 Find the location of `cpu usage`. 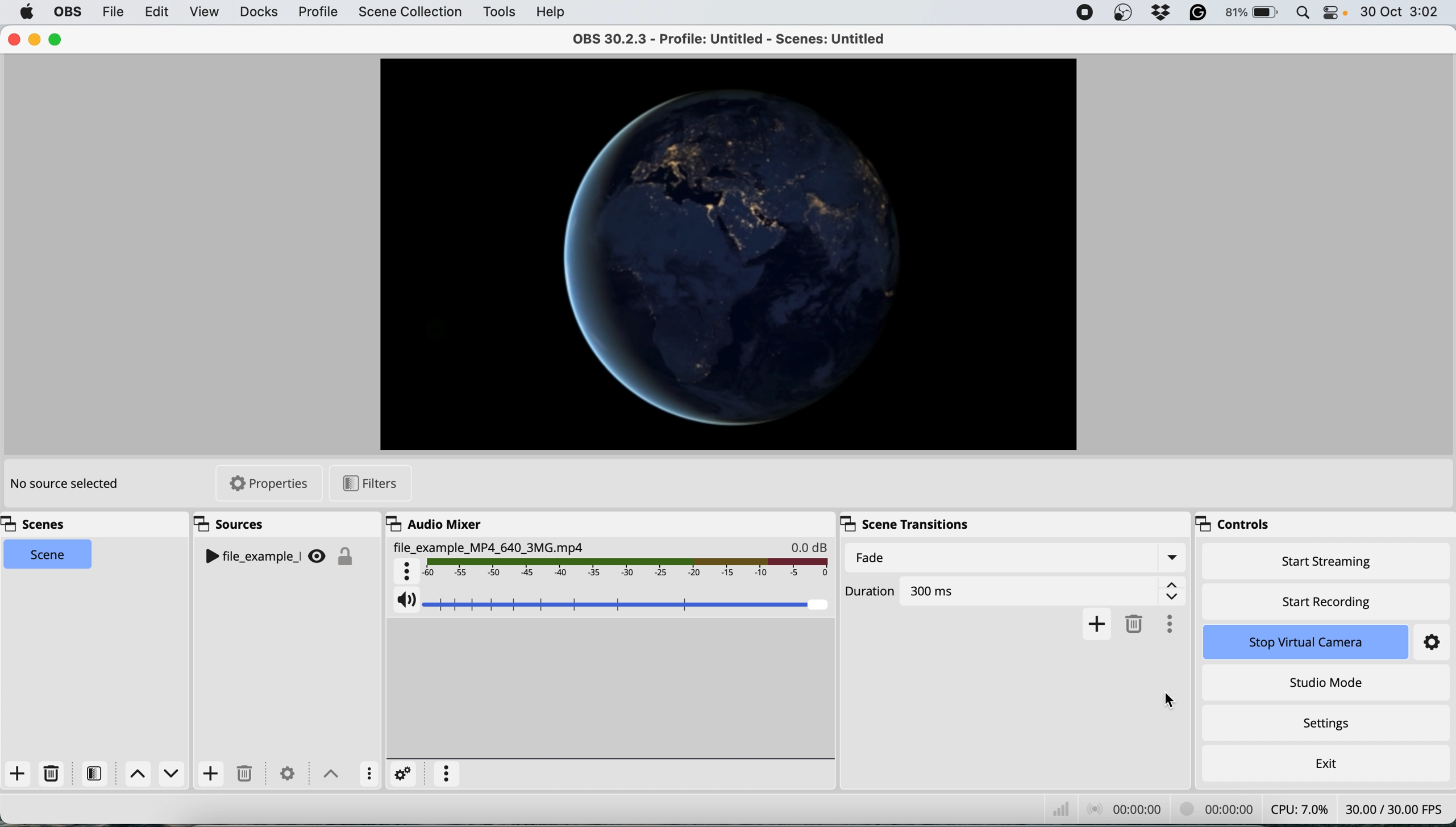

cpu usage is located at coordinates (1297, 809).